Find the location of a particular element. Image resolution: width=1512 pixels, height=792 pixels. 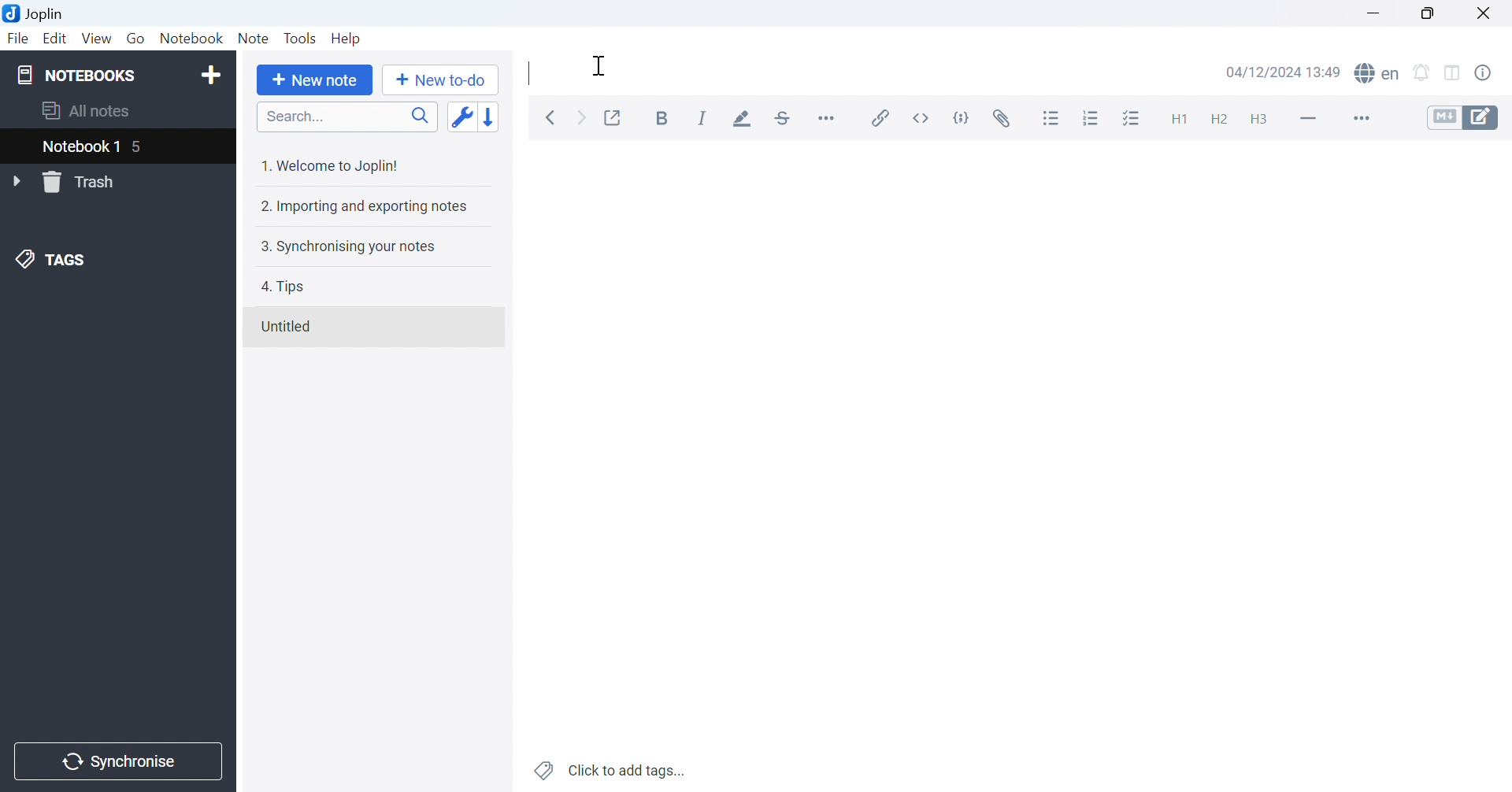

spell checker is located at coordinates (1381, 74).